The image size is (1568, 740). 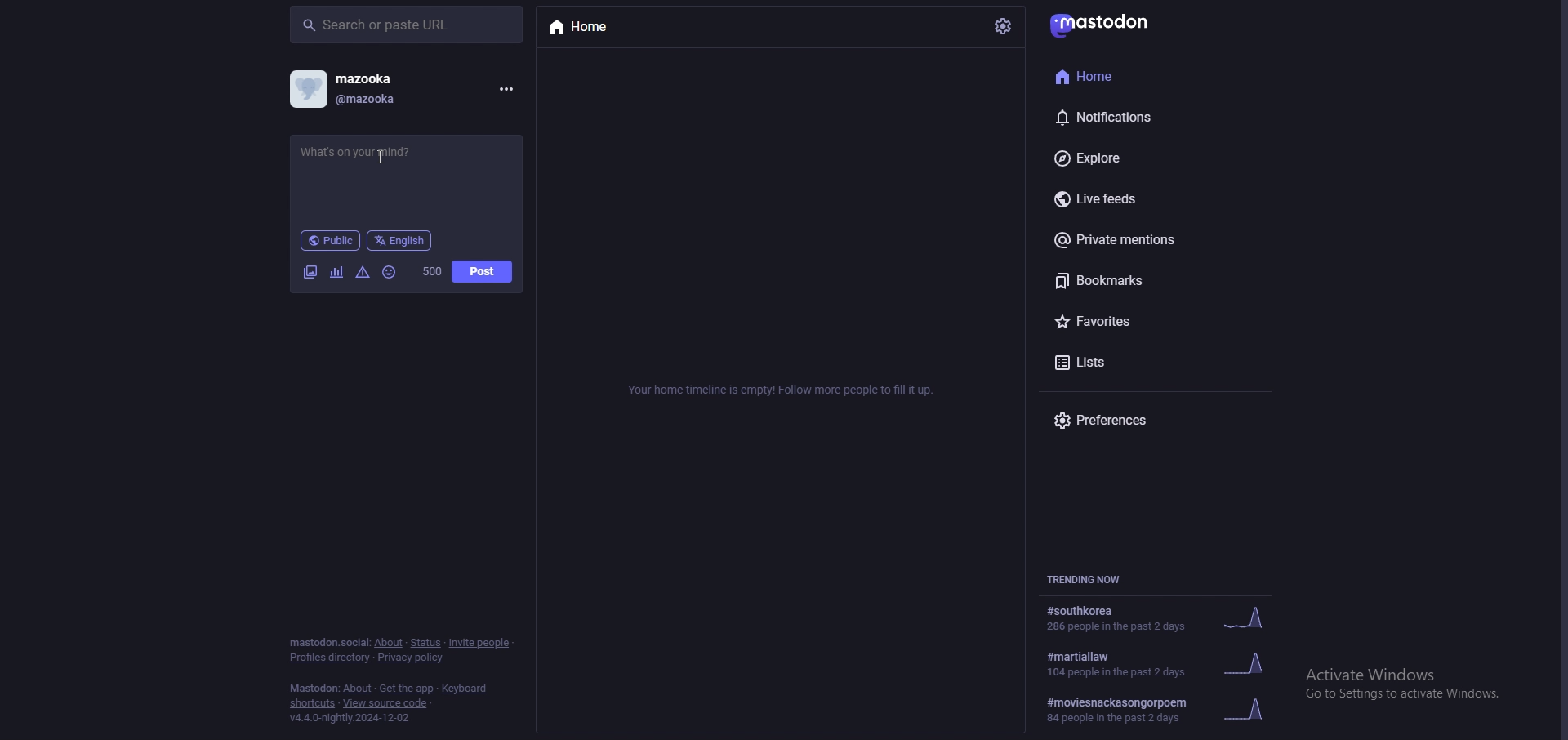 I want to click on Windows activation prompt, so click(x=1416, y=682).